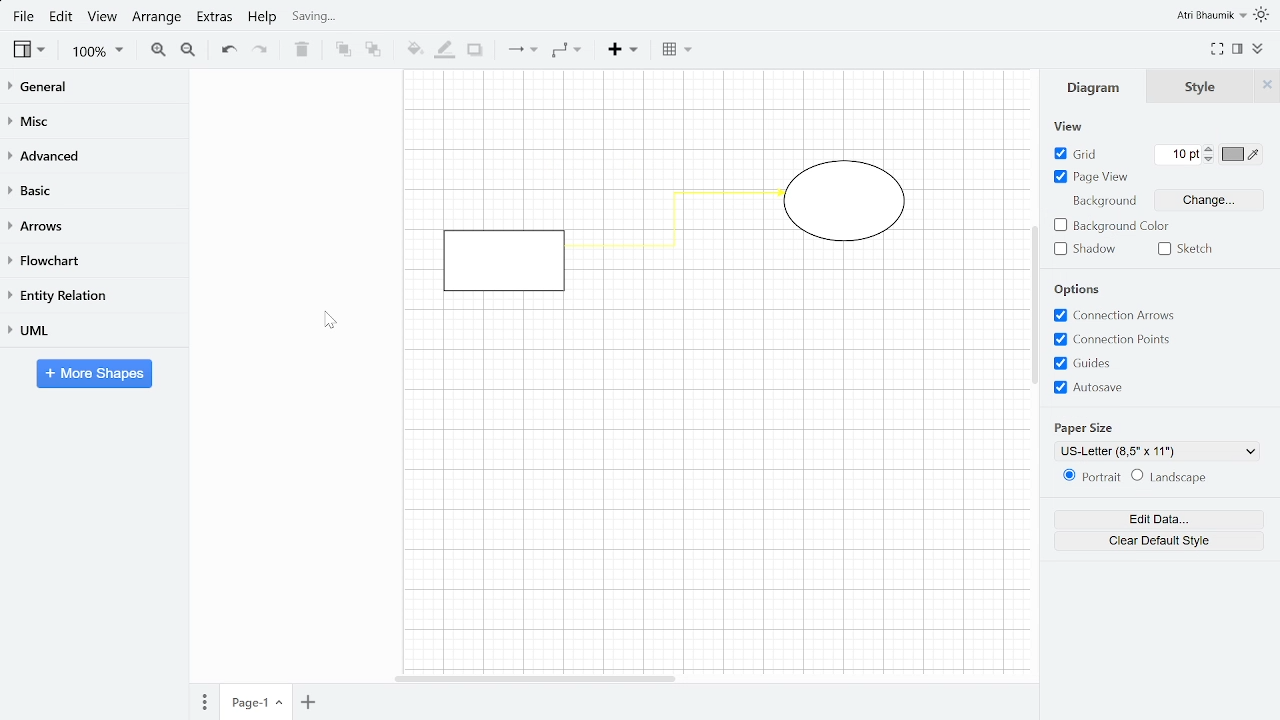 The width and height of the screenshot is (1280, 720). Describe the element at coordinates (158, 50) in the screenshot. I see `Zoom in` at that location.